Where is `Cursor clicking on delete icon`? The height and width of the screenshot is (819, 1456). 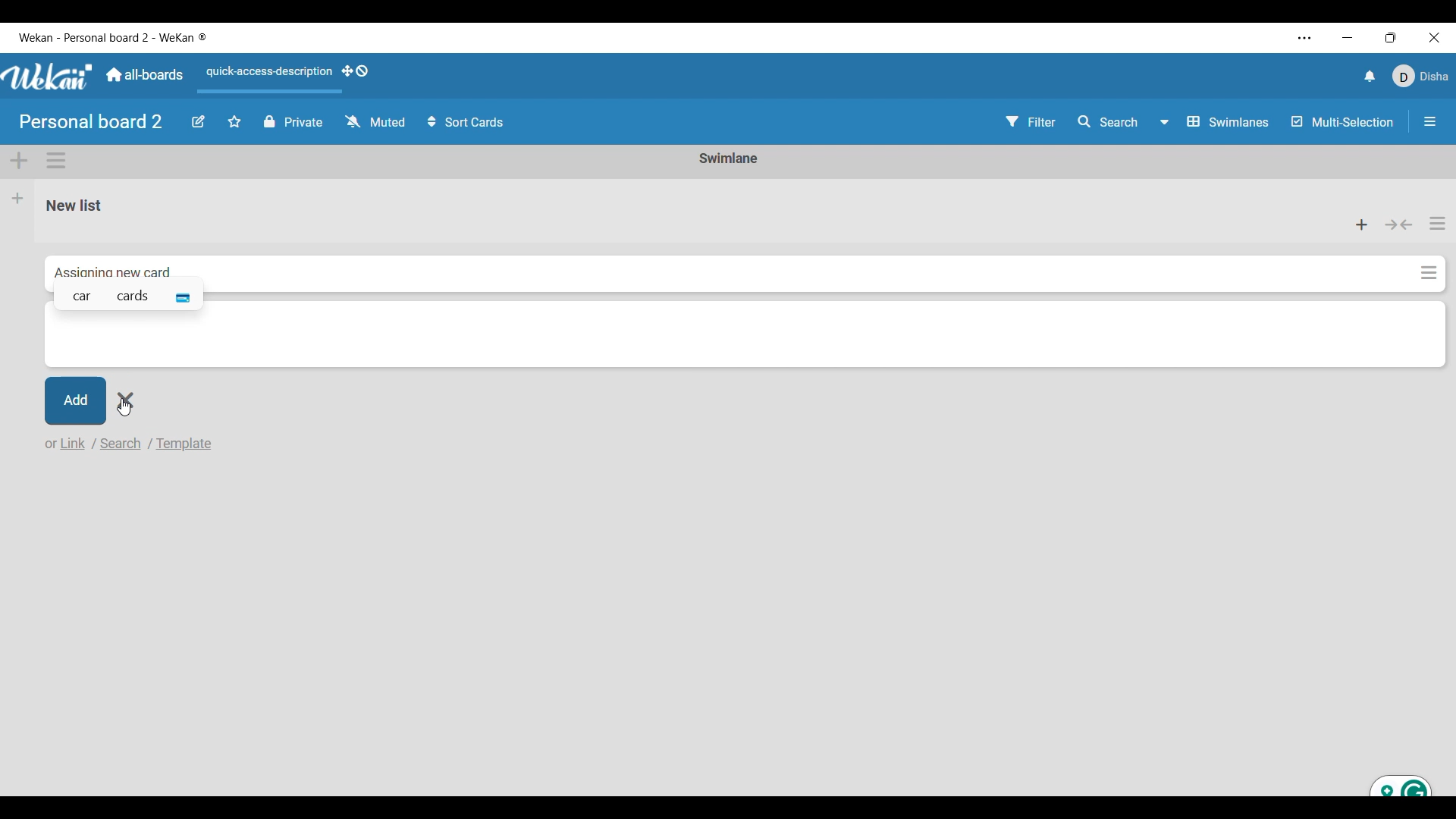 Cursor clicking on delete icon is located at coordinates (132, 403).